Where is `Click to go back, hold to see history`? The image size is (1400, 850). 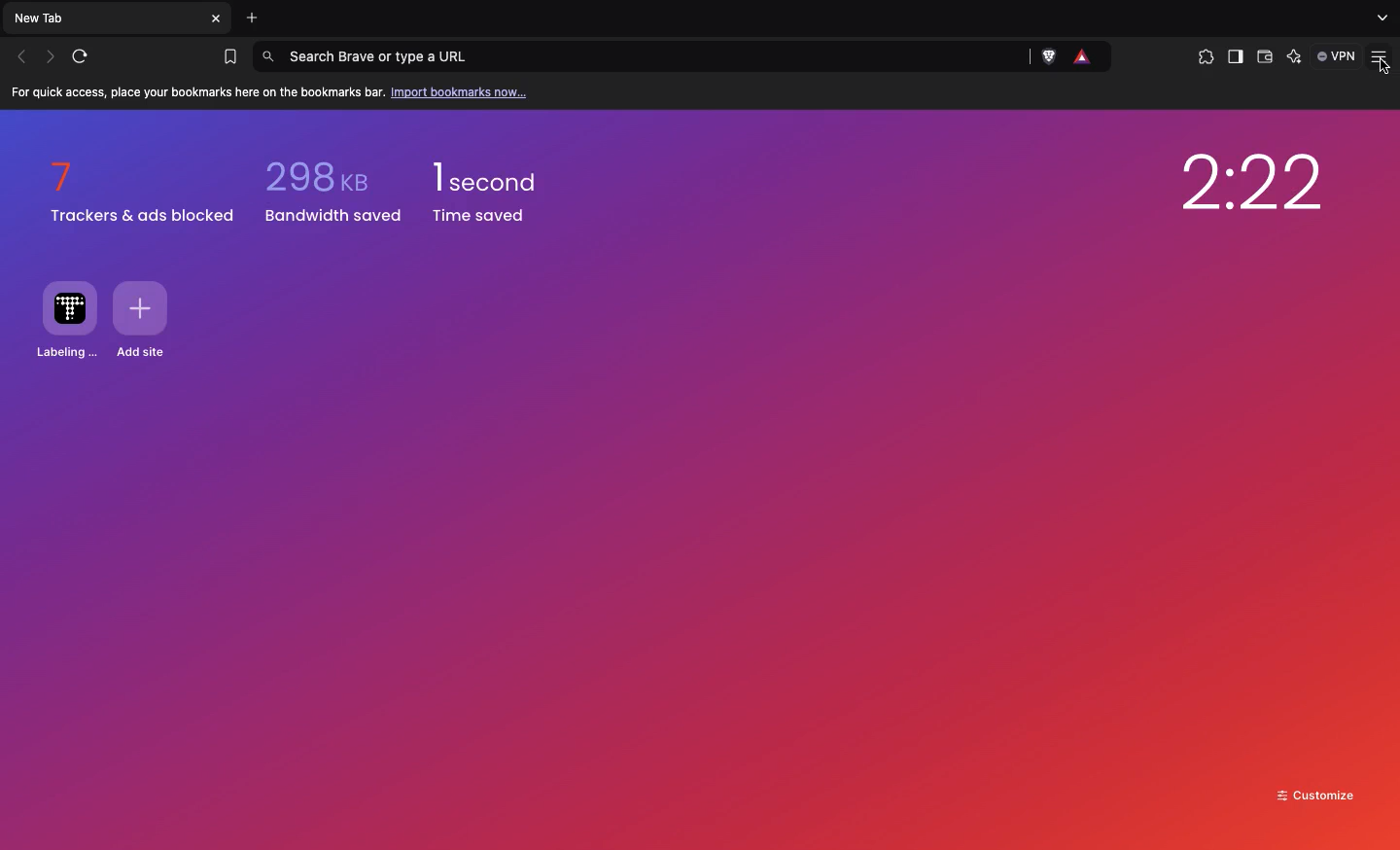 Click to go back, hold to see history is located at coordinates (20, 57).